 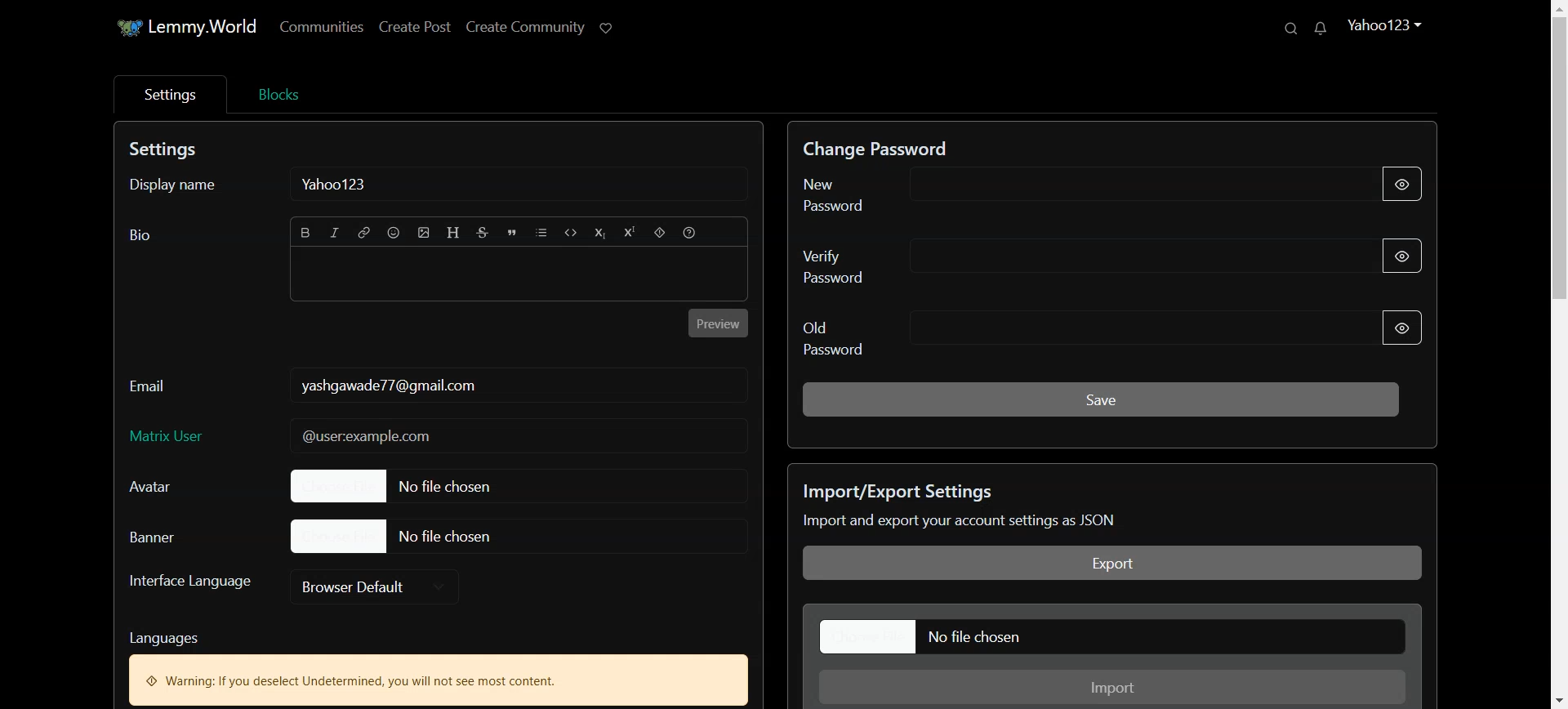 I want to click on Text, so click(x=886, y=145).